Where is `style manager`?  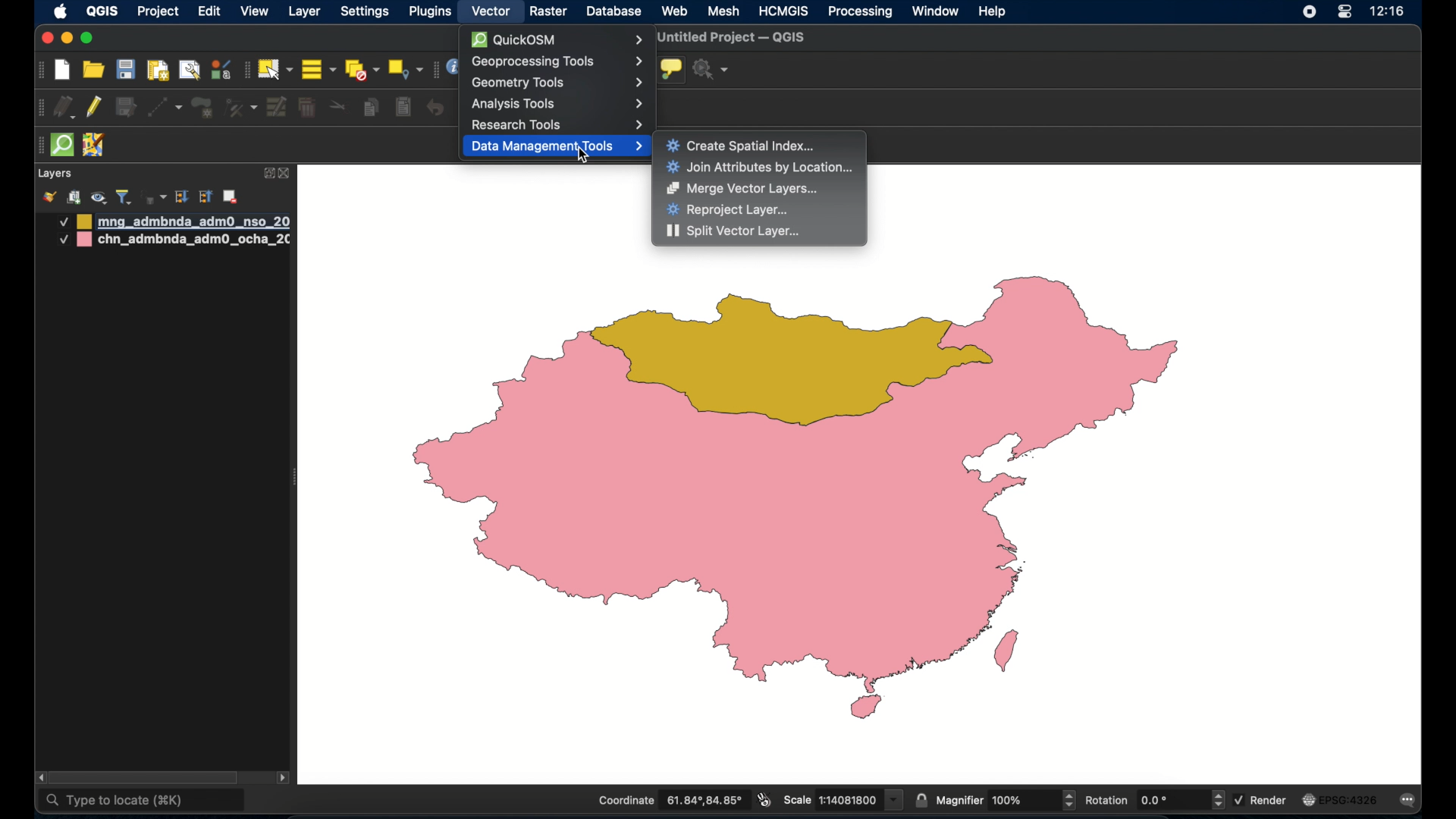 style manager is located at coordinates (220, 69).